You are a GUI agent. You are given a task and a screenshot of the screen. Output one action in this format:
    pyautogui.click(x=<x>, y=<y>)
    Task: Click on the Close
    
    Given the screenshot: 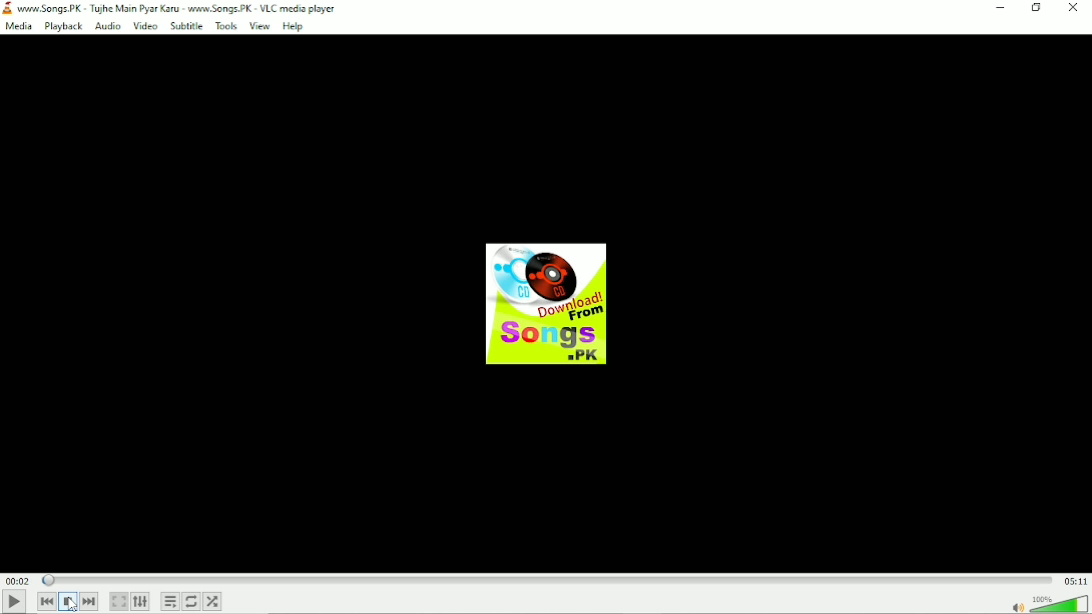 What is the action you would take?
    pyautogui.click(x=1073, y=8)
    